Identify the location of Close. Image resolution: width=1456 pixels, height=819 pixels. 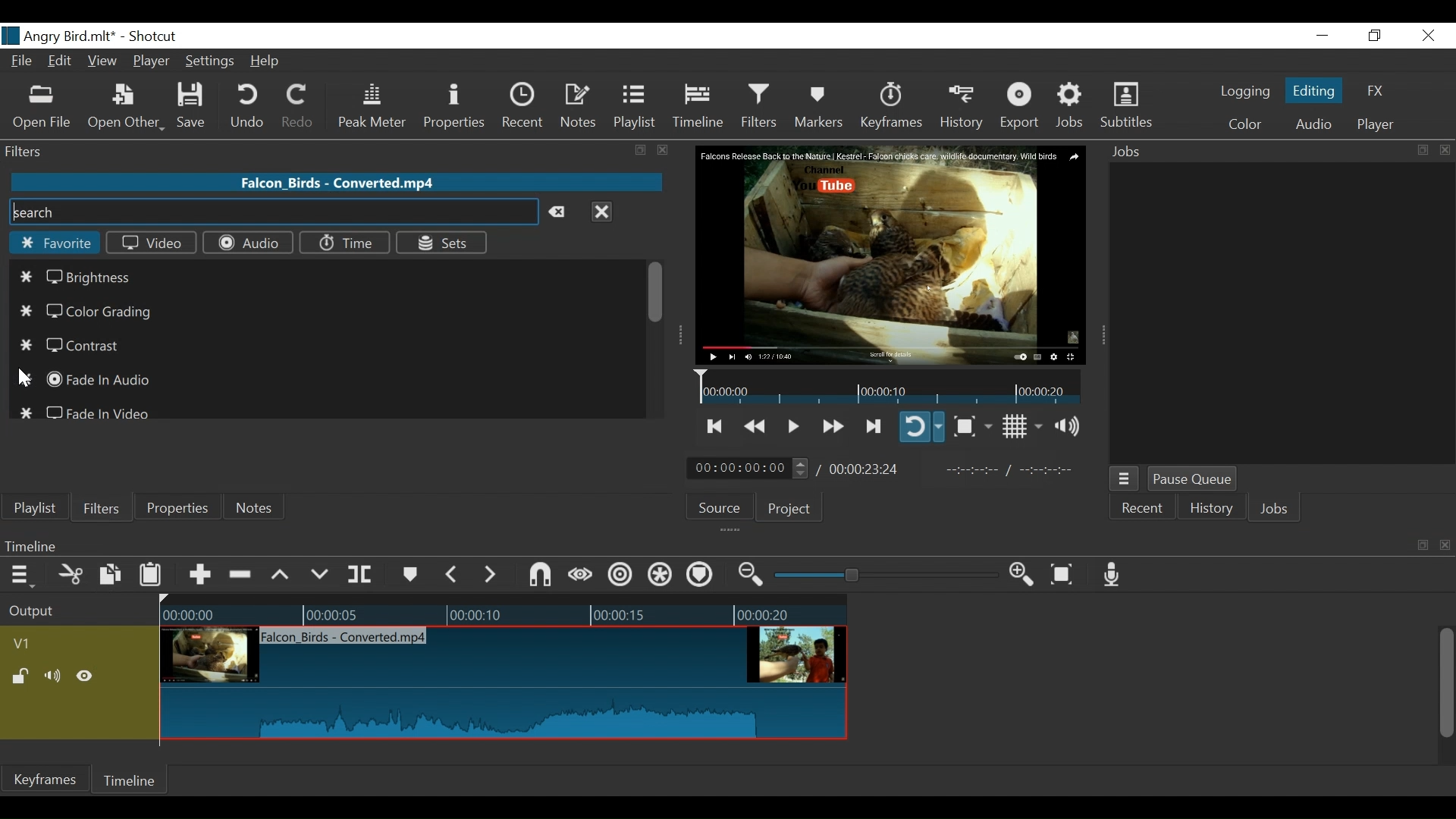
(1426, 36).